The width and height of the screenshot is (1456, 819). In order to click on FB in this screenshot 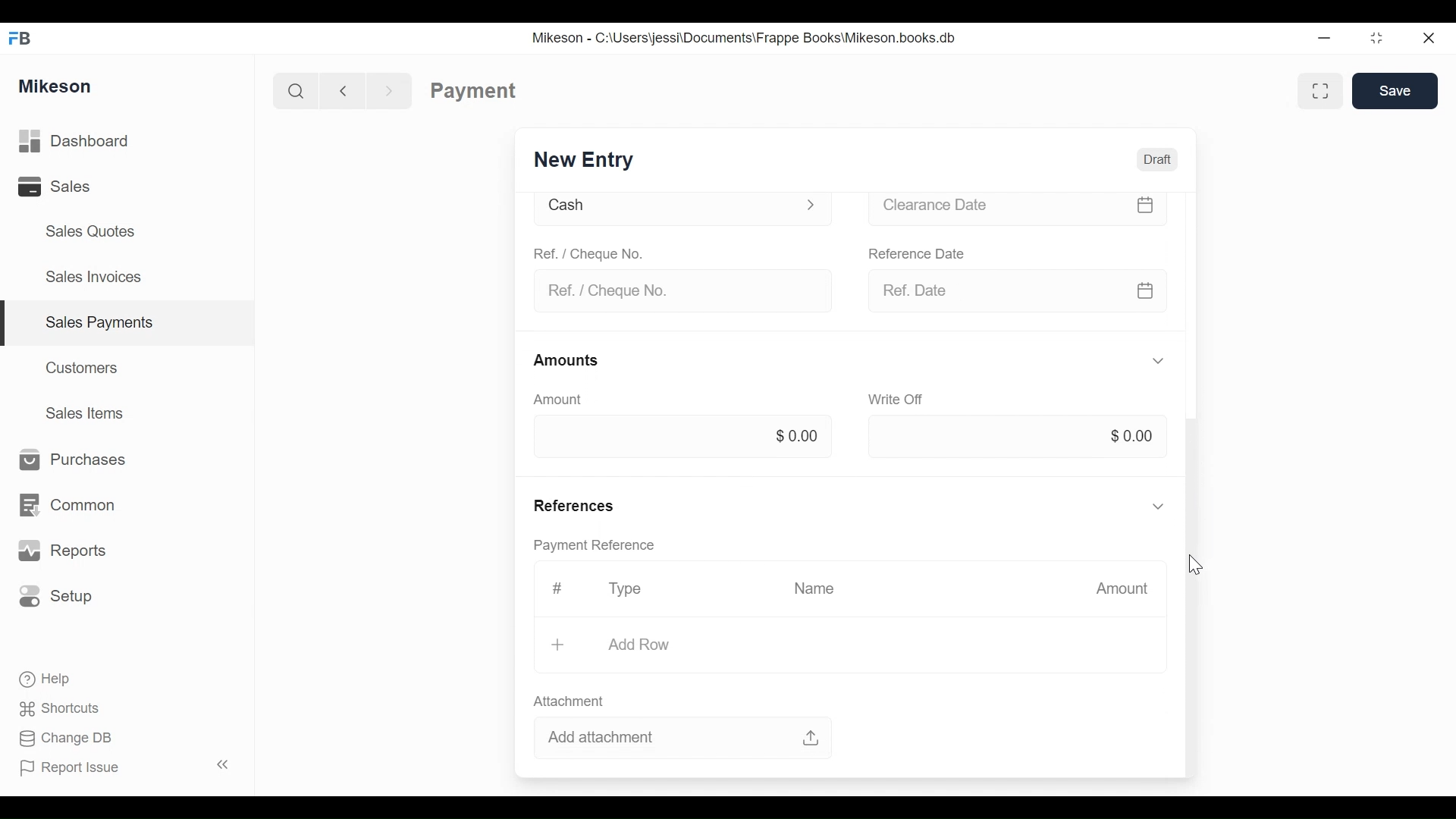, I will do `click(24, 36)`.